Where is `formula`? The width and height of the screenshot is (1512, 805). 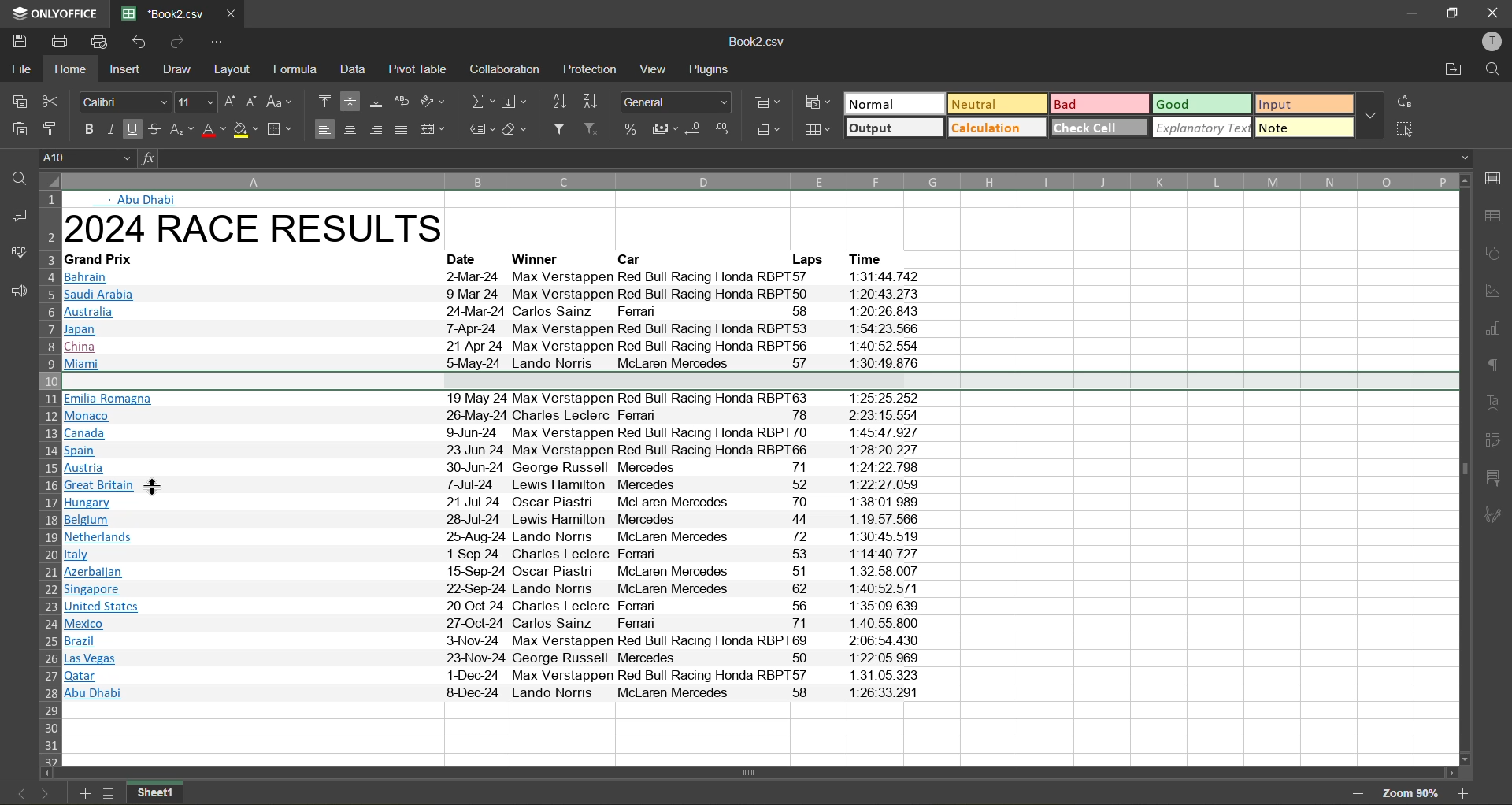 formula is located at coordinates (294, 72).